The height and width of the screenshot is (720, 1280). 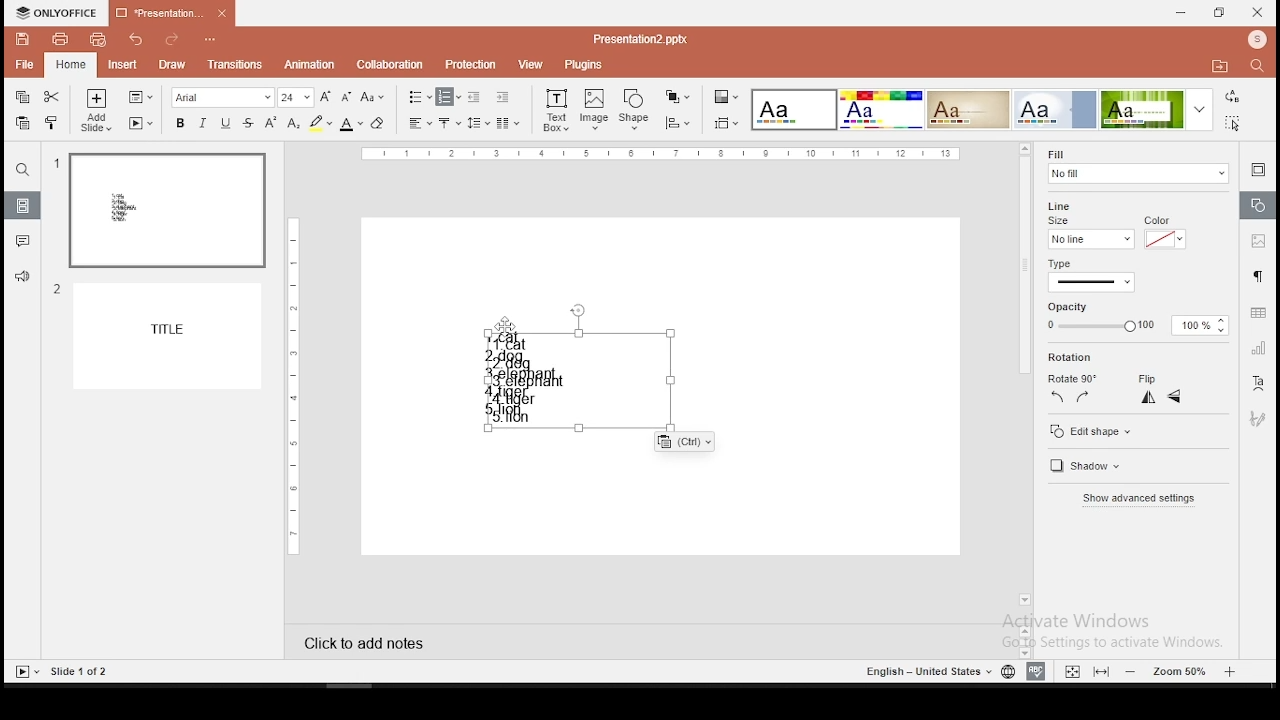 I want to click on edit shape, so click(x=1137, y=429).